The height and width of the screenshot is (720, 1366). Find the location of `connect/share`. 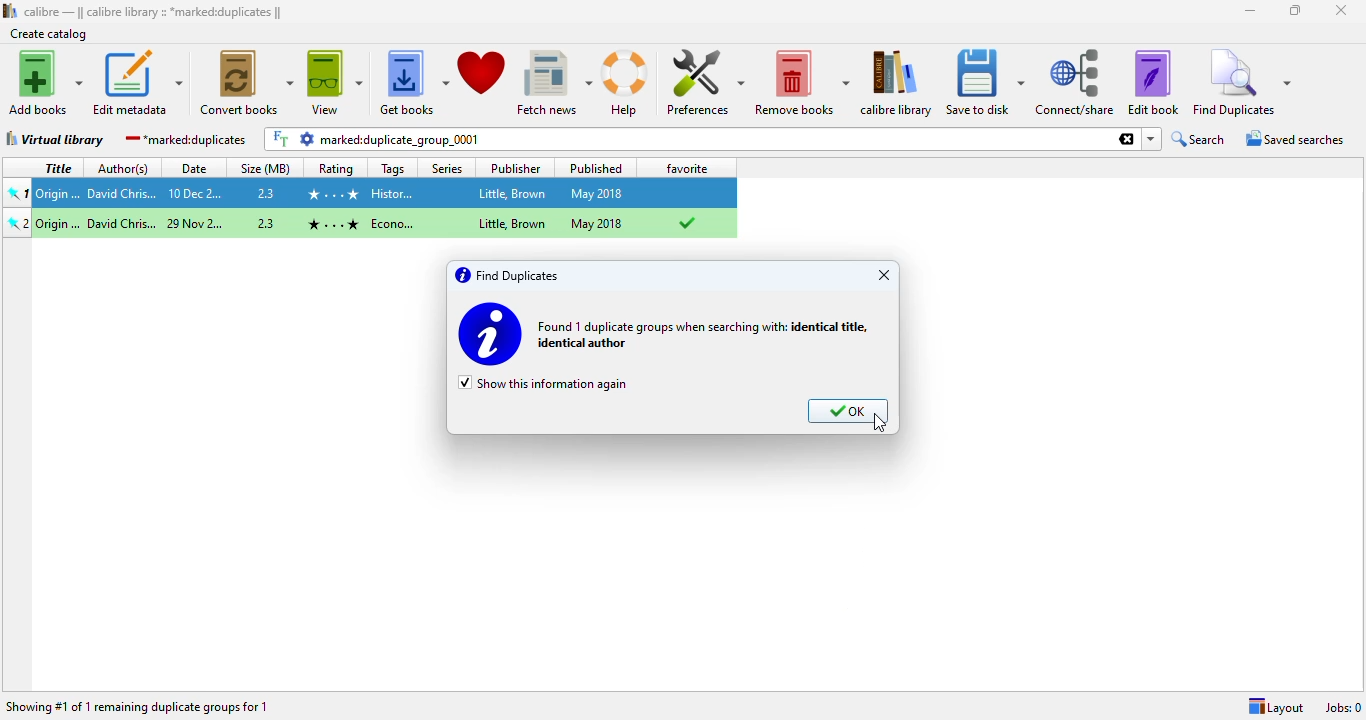

connect/share is located at coordinates (1076, 83).